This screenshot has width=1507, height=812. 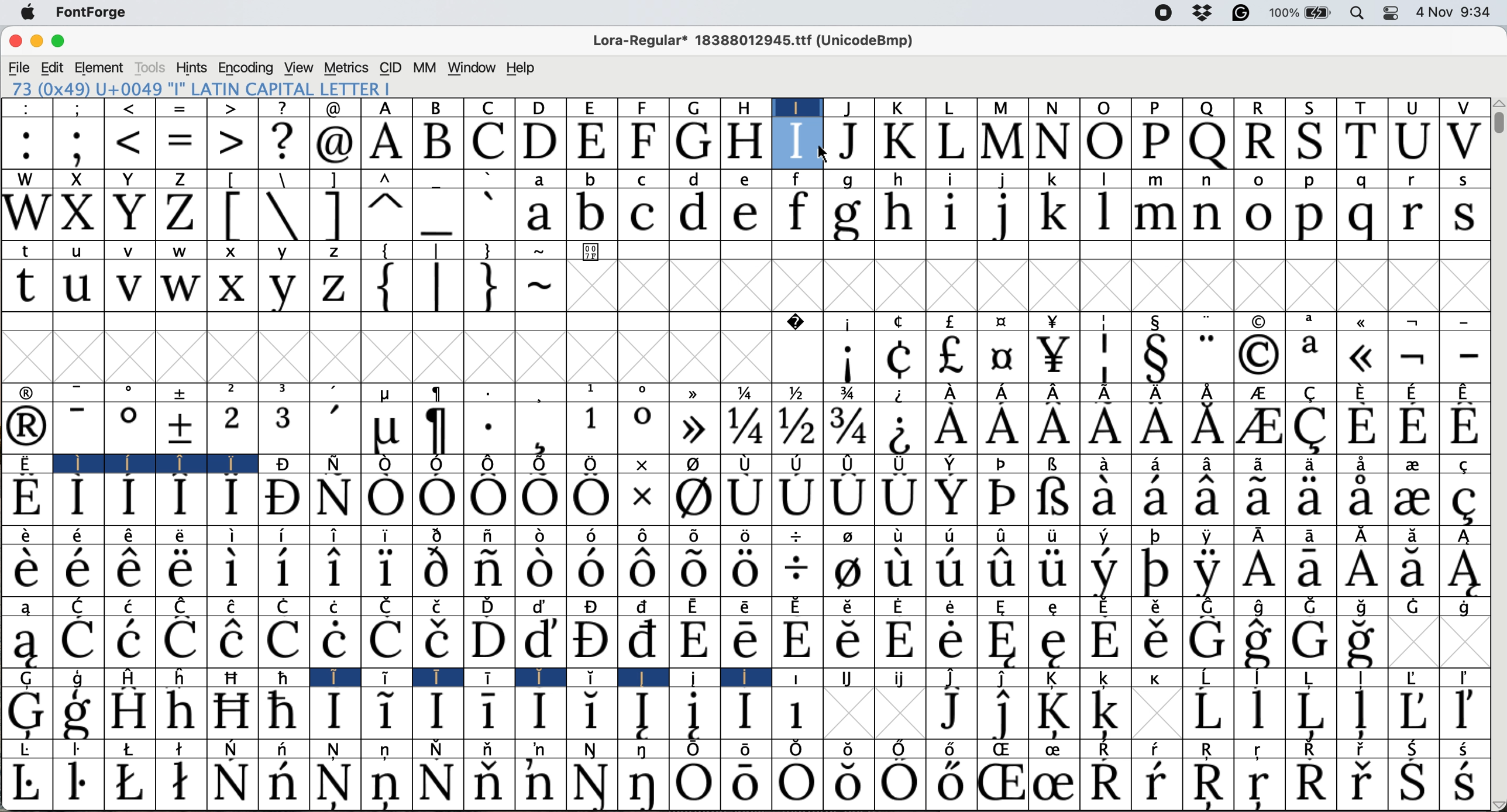 What do you see at coordinates (744, 179) in the screenshot?
I see `e` at bounding box center [744, 179].